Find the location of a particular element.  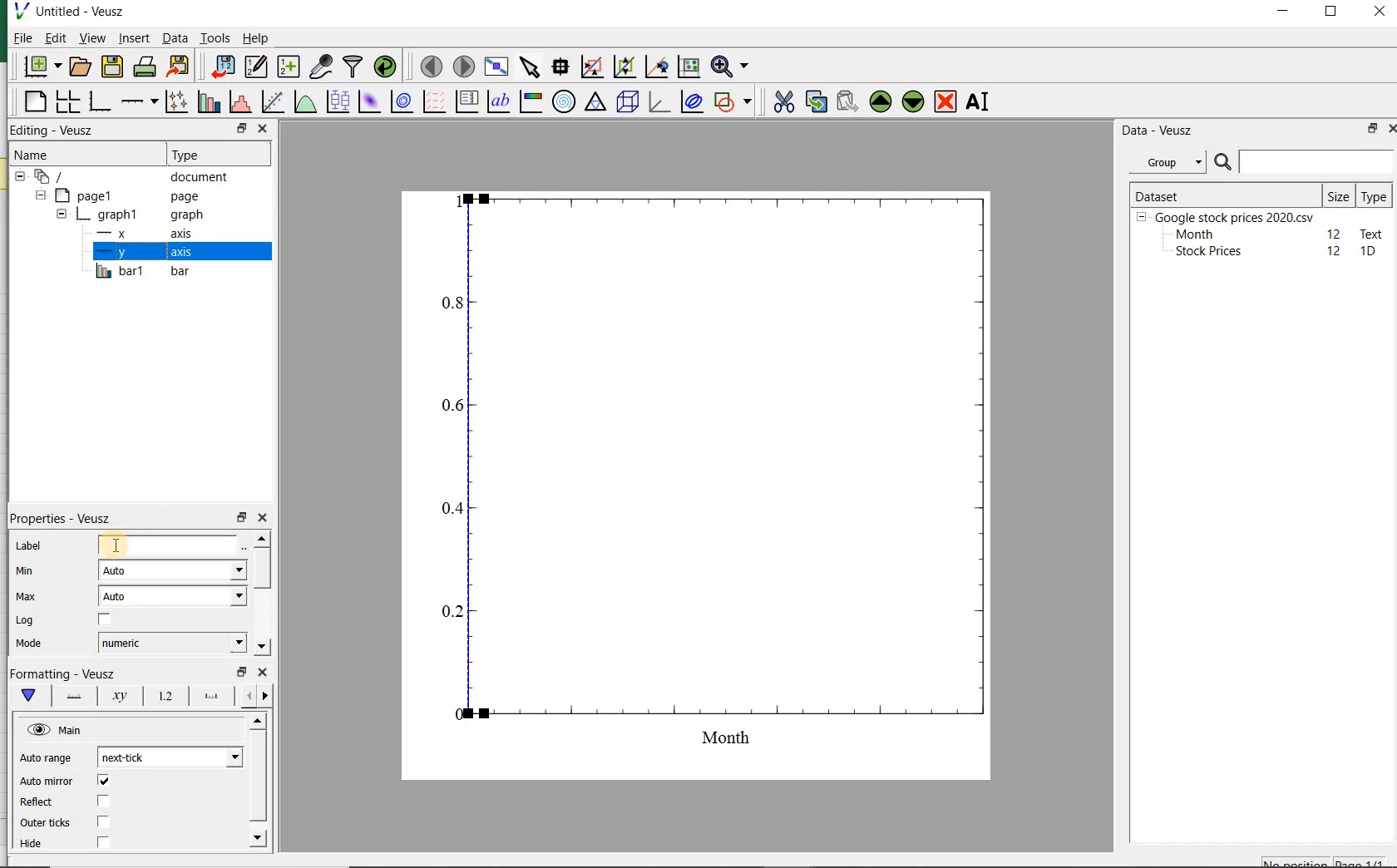

Stock prices is located at coordinates (1201, 252).